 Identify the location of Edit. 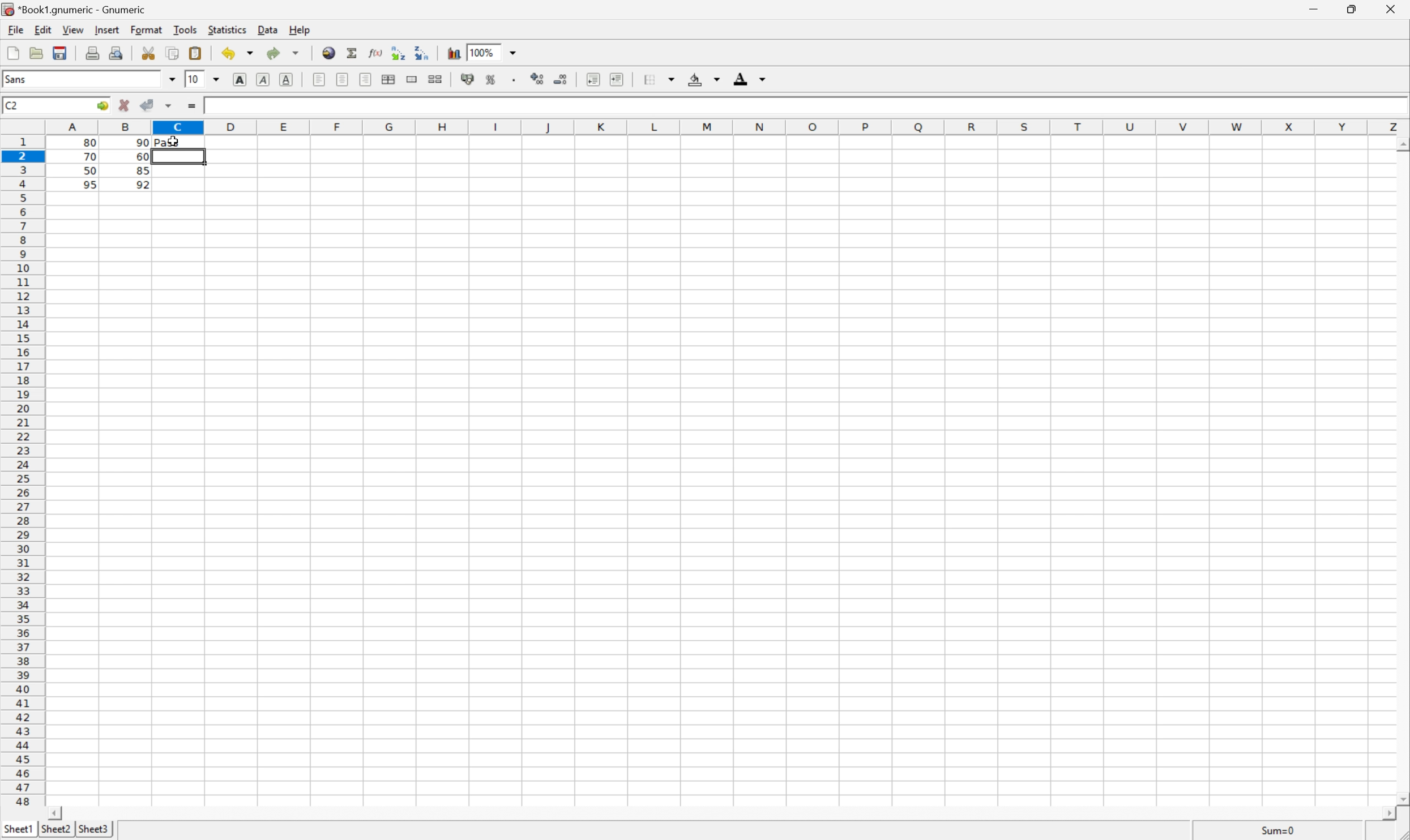
(42, 31).